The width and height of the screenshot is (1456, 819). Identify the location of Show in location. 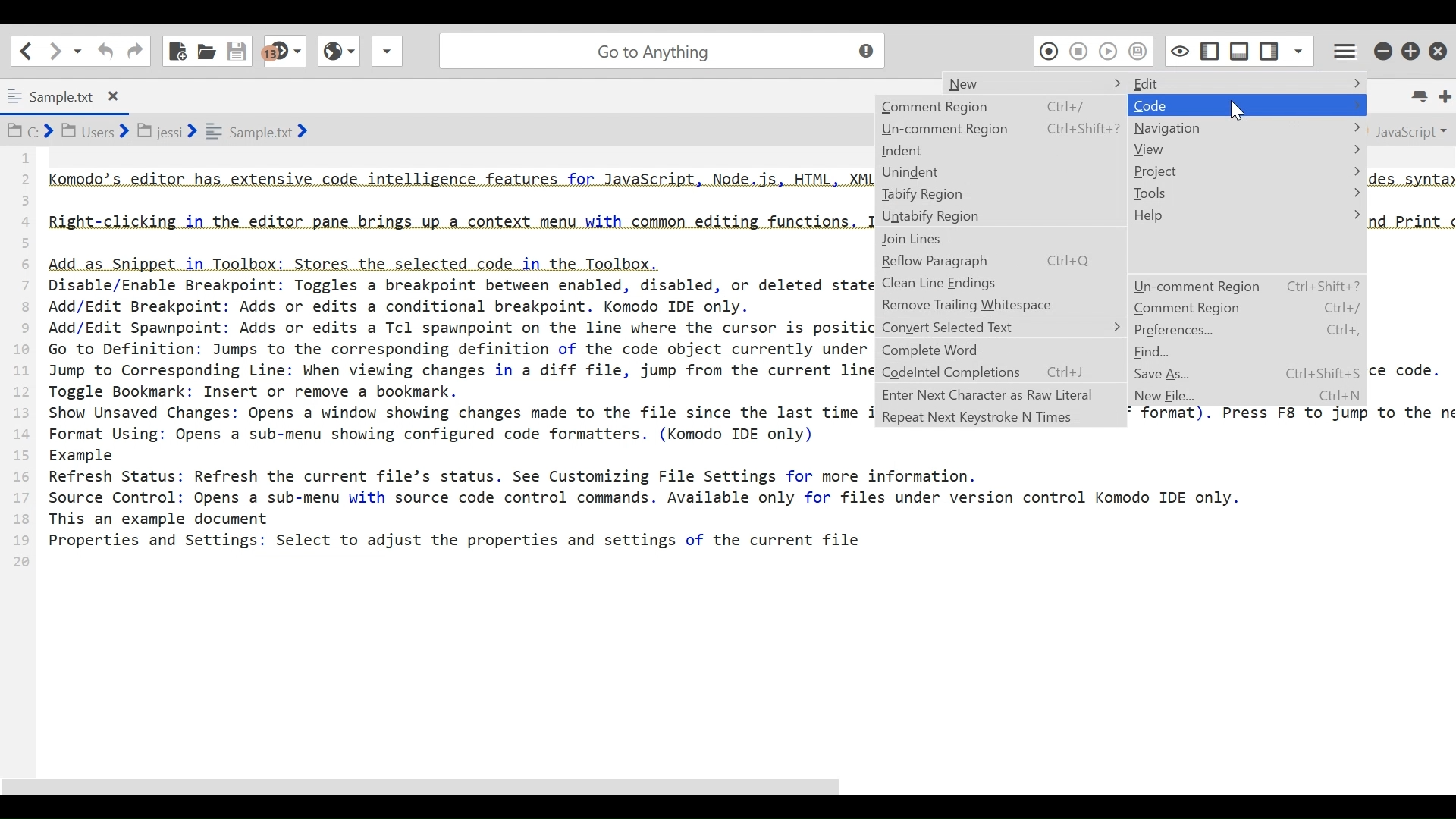
(159, 130).